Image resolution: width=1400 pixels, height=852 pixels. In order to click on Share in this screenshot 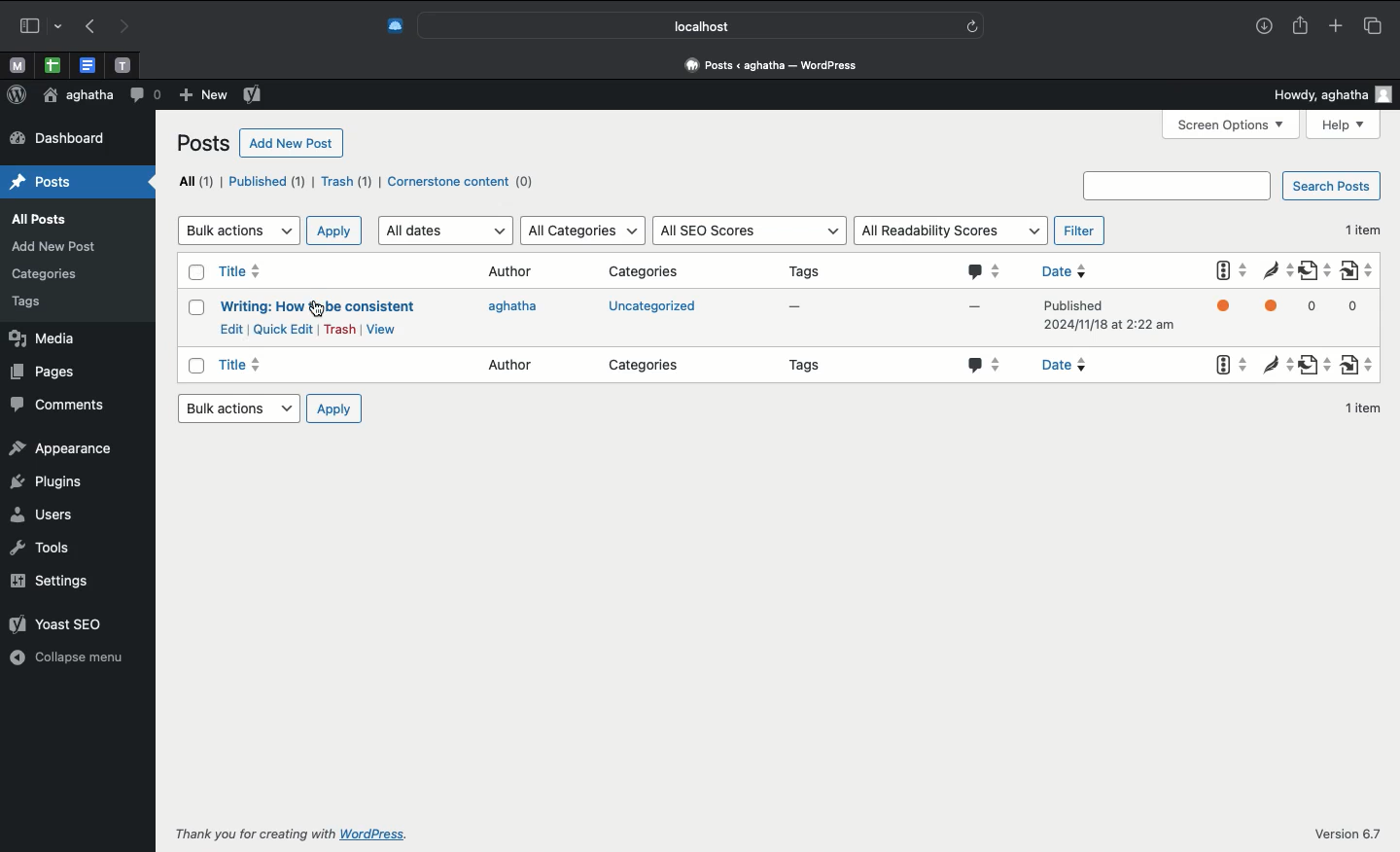, I will do `click(1303, 26)`.